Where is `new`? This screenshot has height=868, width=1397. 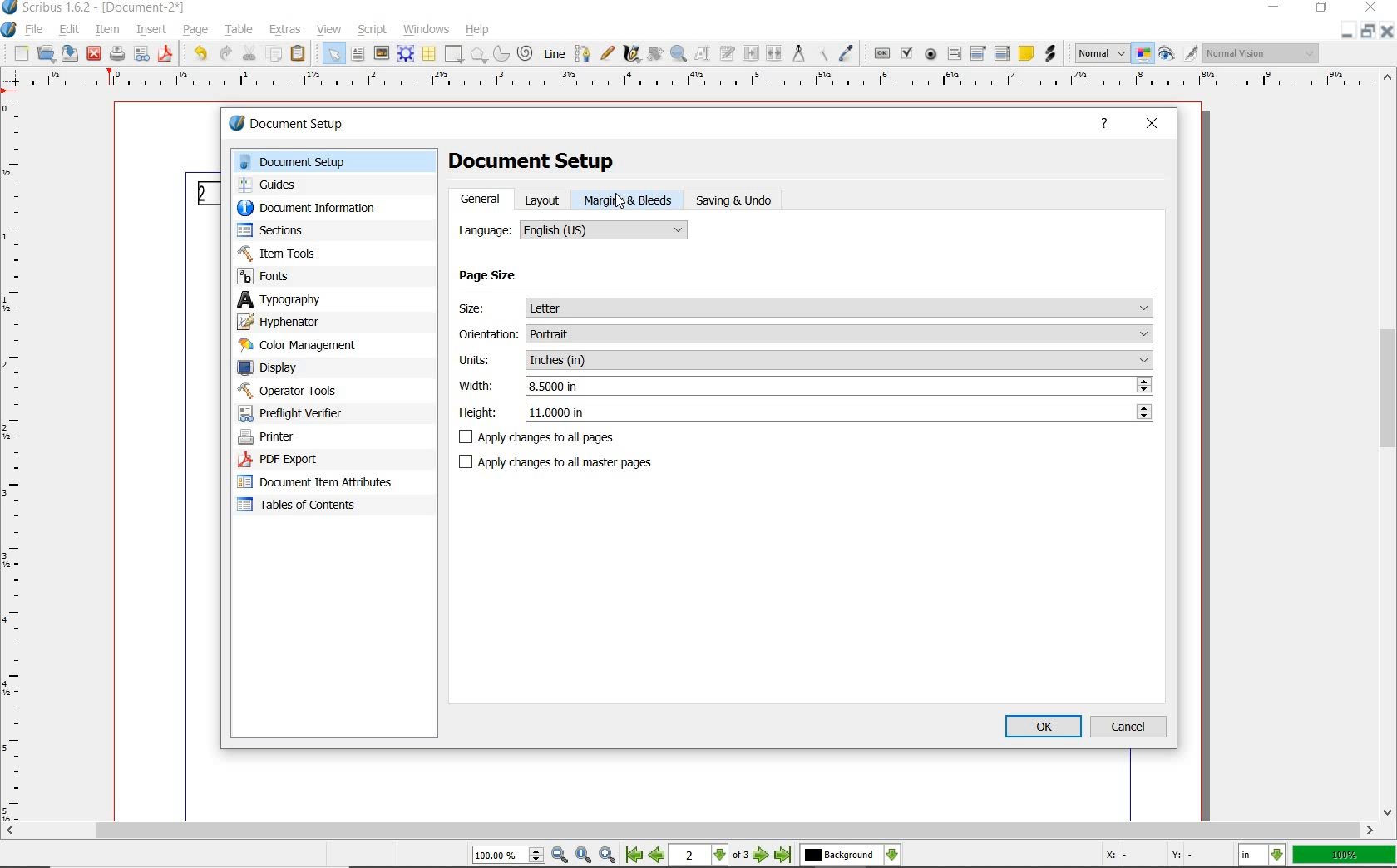 new is located at coordinates (22, 54).